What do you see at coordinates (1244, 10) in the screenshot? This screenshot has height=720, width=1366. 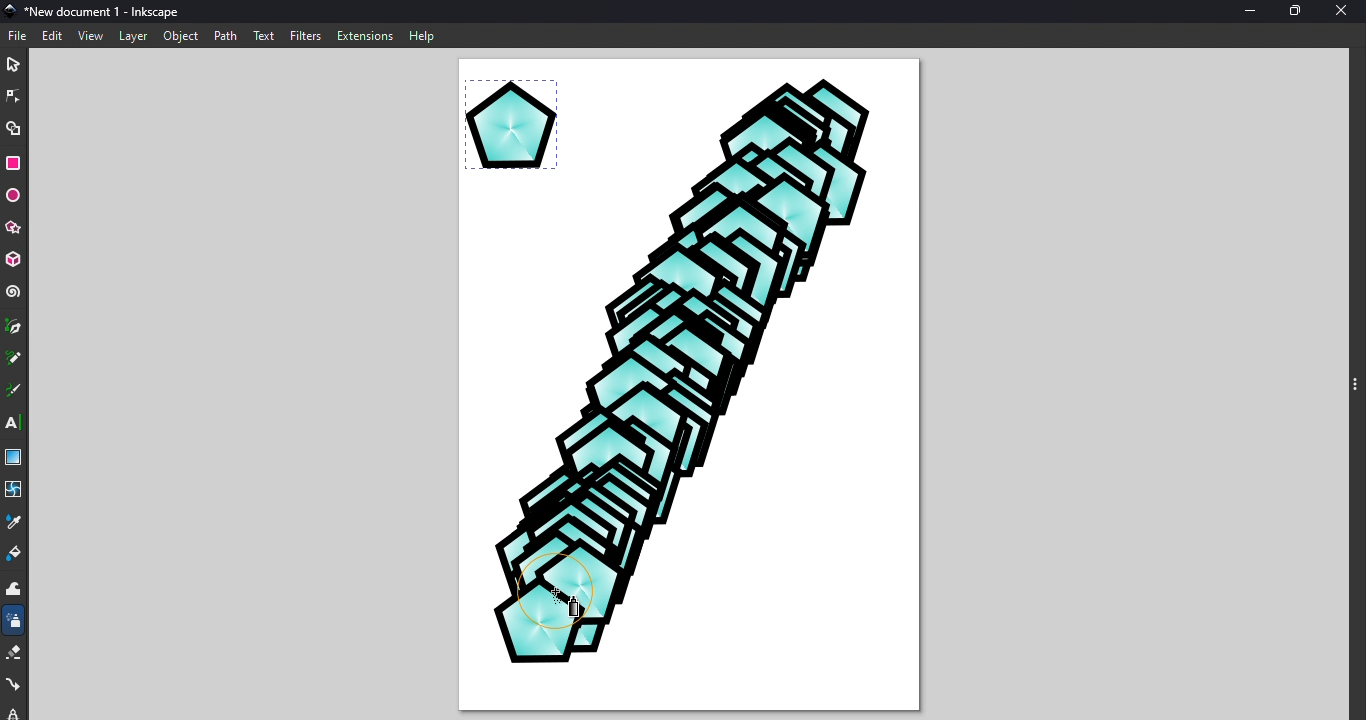 I see `Minimize` at bounding box center [1244, 10].